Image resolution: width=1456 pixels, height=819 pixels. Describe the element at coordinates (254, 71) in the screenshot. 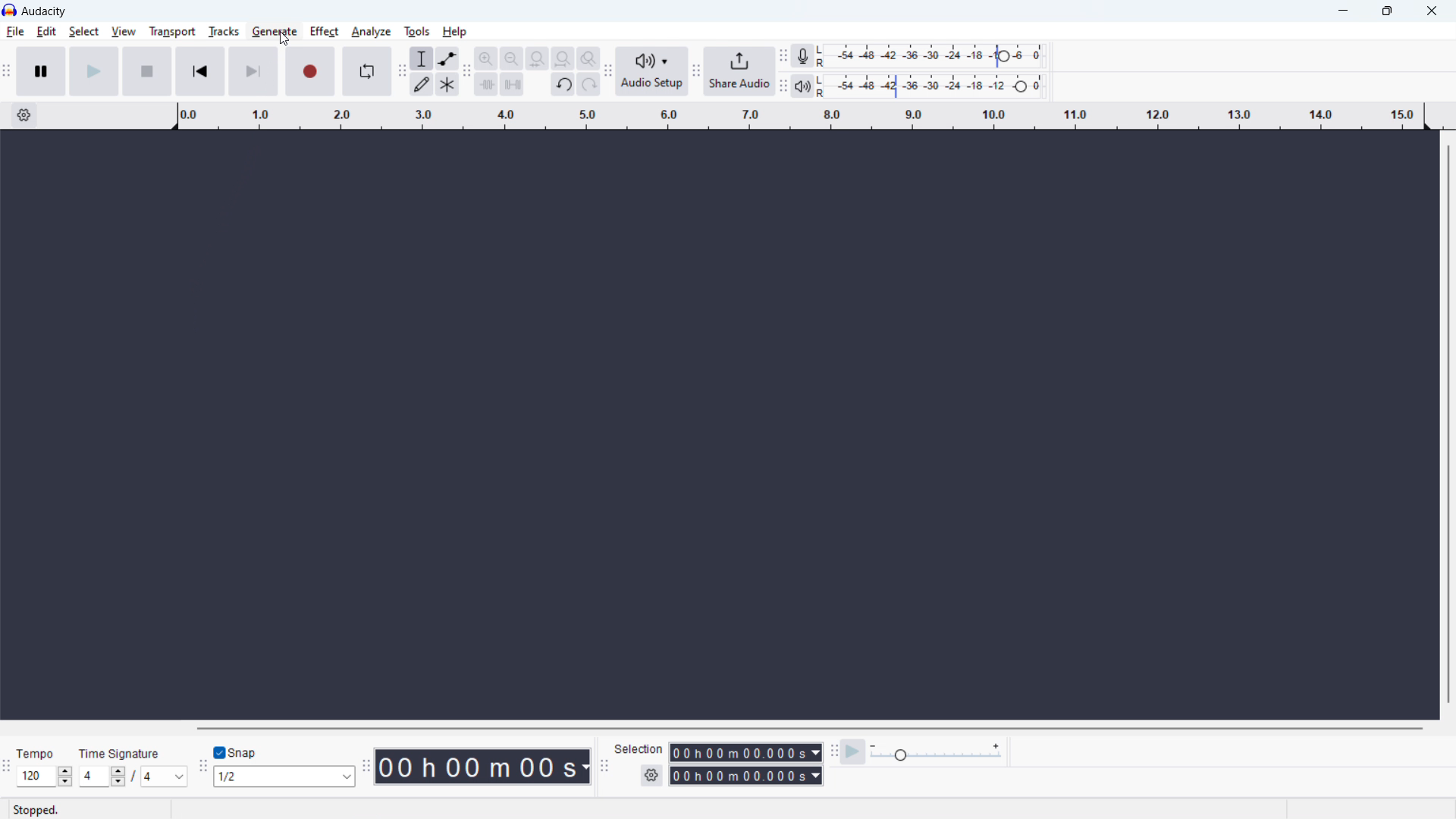

I see `skip to end` at that location.